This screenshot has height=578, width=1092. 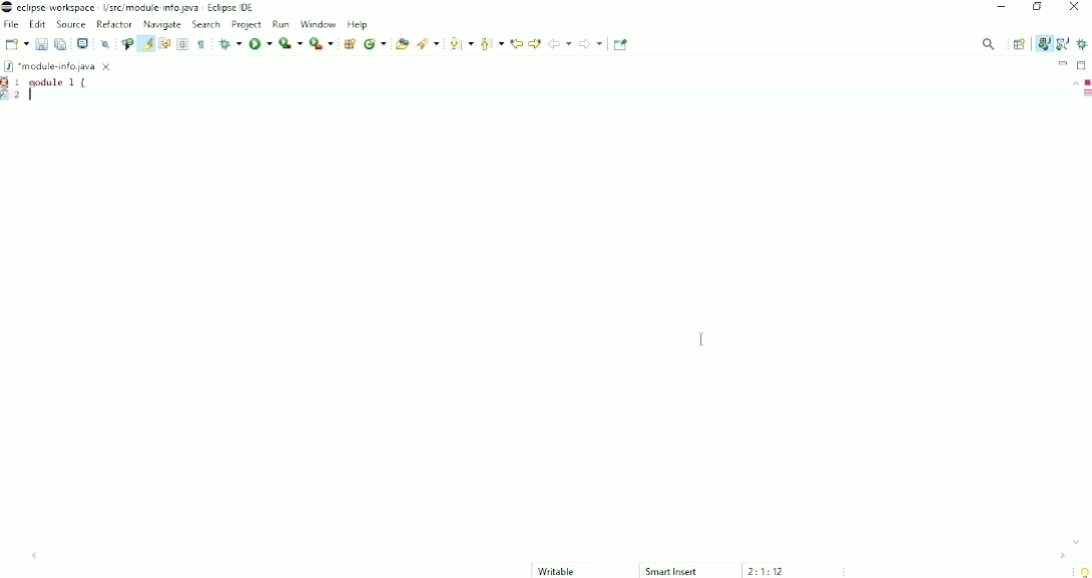 What do you see at coordinates (358, 24) in the screenshot?
I see `Help` at bounding box center [358, 24].